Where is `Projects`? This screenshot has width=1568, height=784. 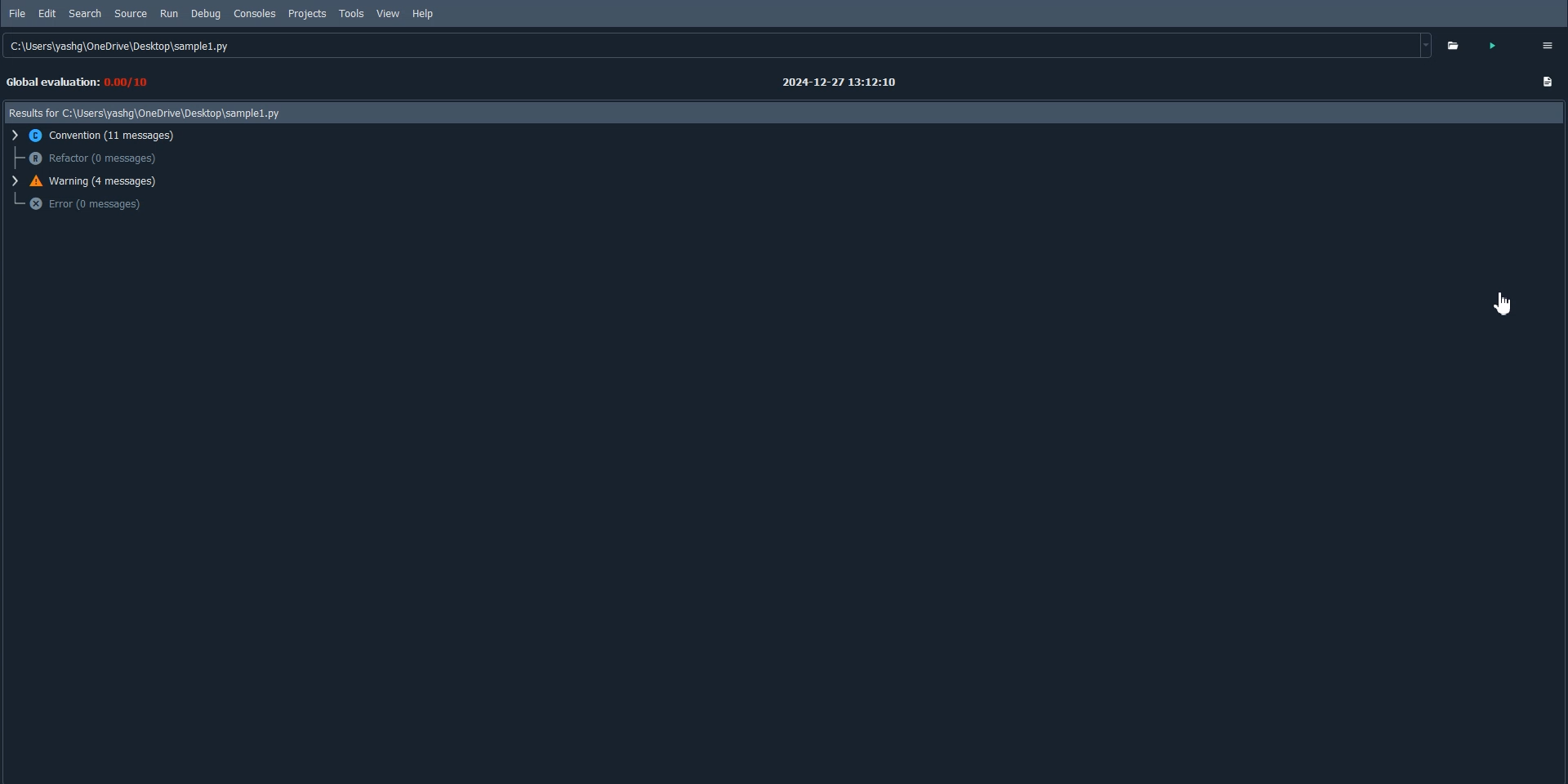 Projects is located at coordinates (307, 14).